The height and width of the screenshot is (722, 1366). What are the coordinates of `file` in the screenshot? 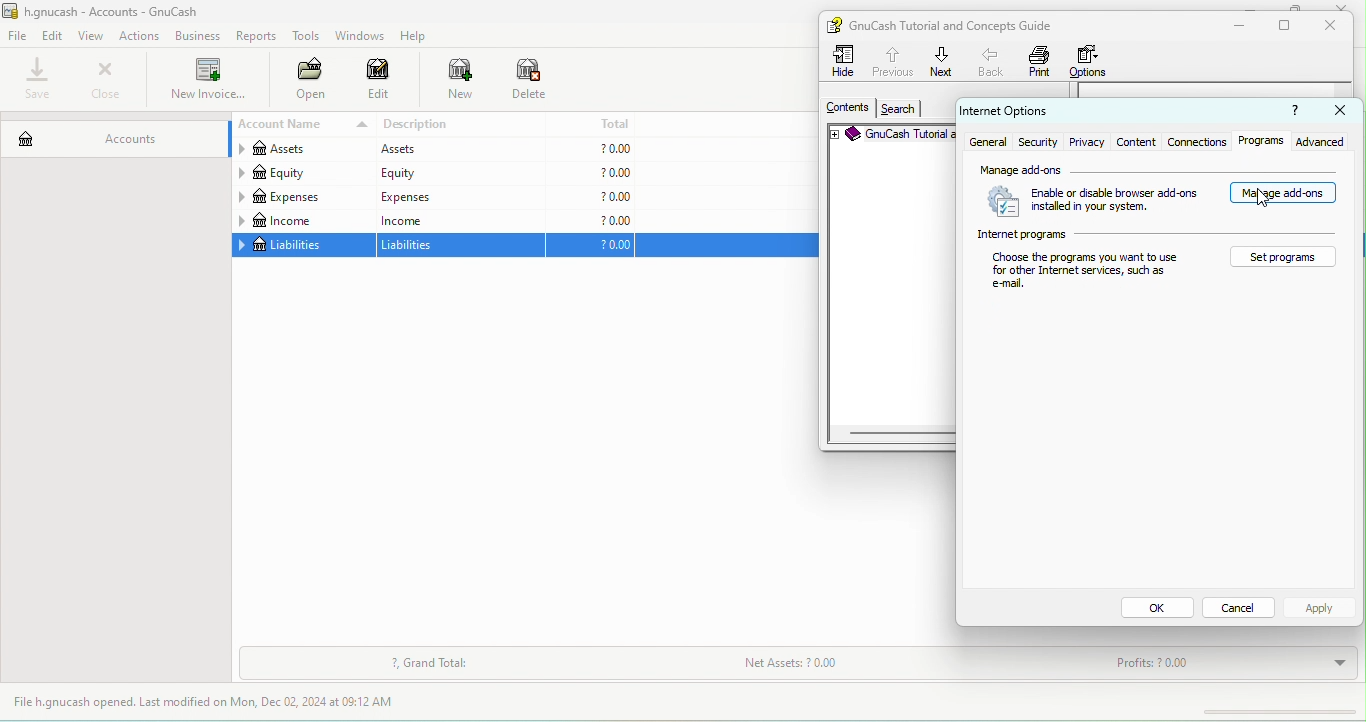 It's located at (18, 37).